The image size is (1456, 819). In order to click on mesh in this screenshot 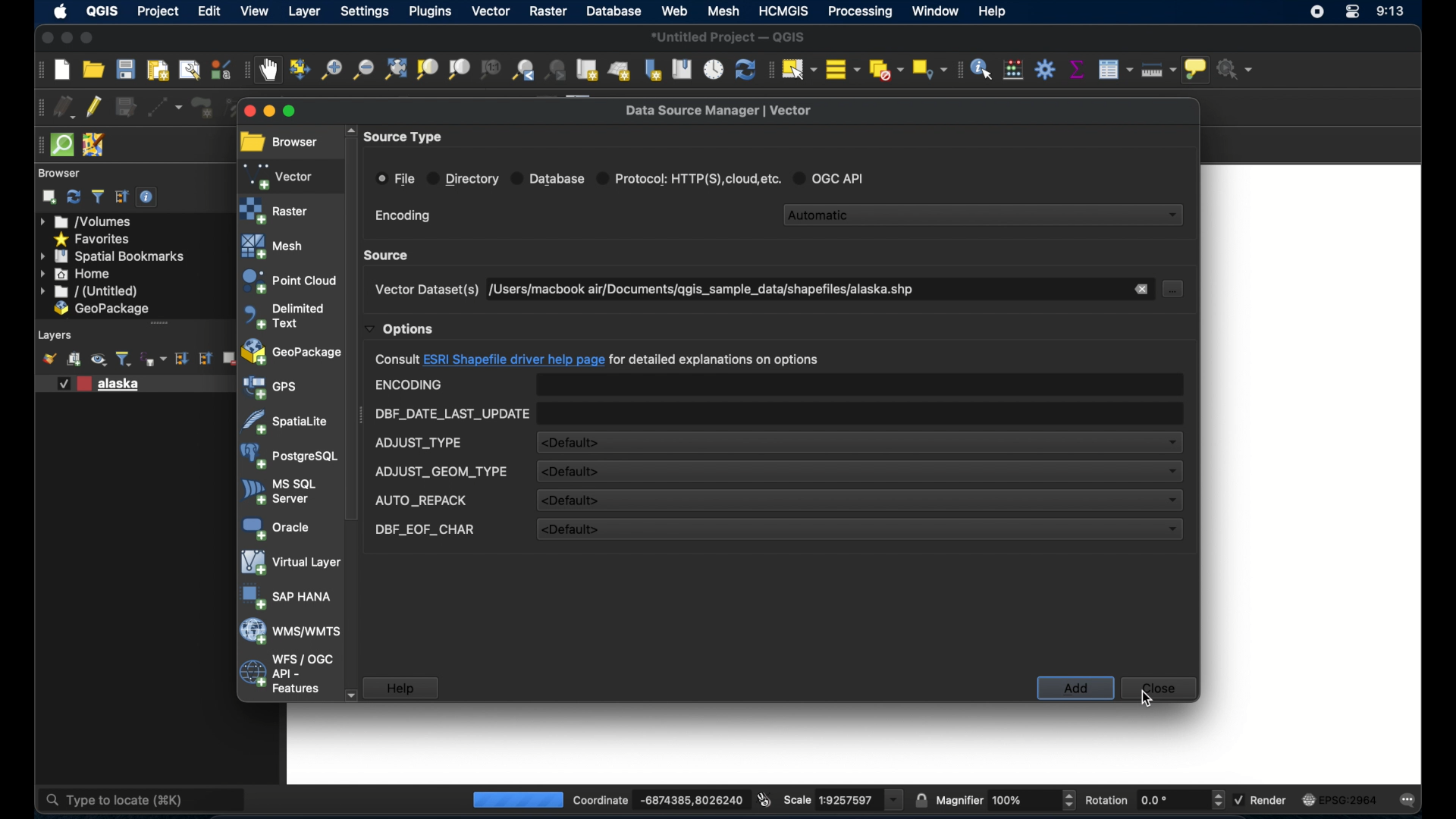, I will do `click(275, 246)`.